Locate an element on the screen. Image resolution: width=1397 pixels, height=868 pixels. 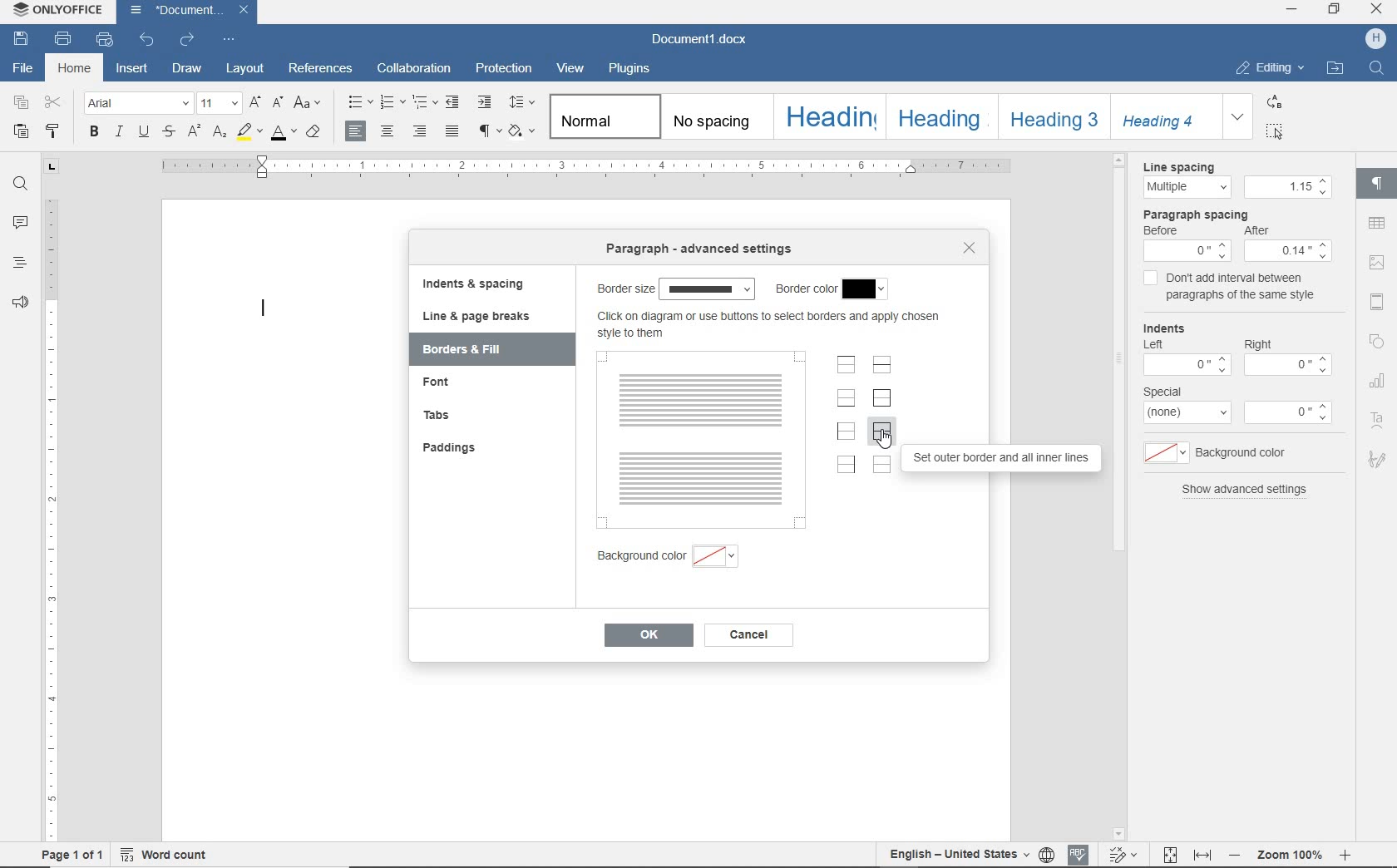
Click on diagram or use buttons to select borders and apply chosen style to them. is located at coordinates (773, 328).